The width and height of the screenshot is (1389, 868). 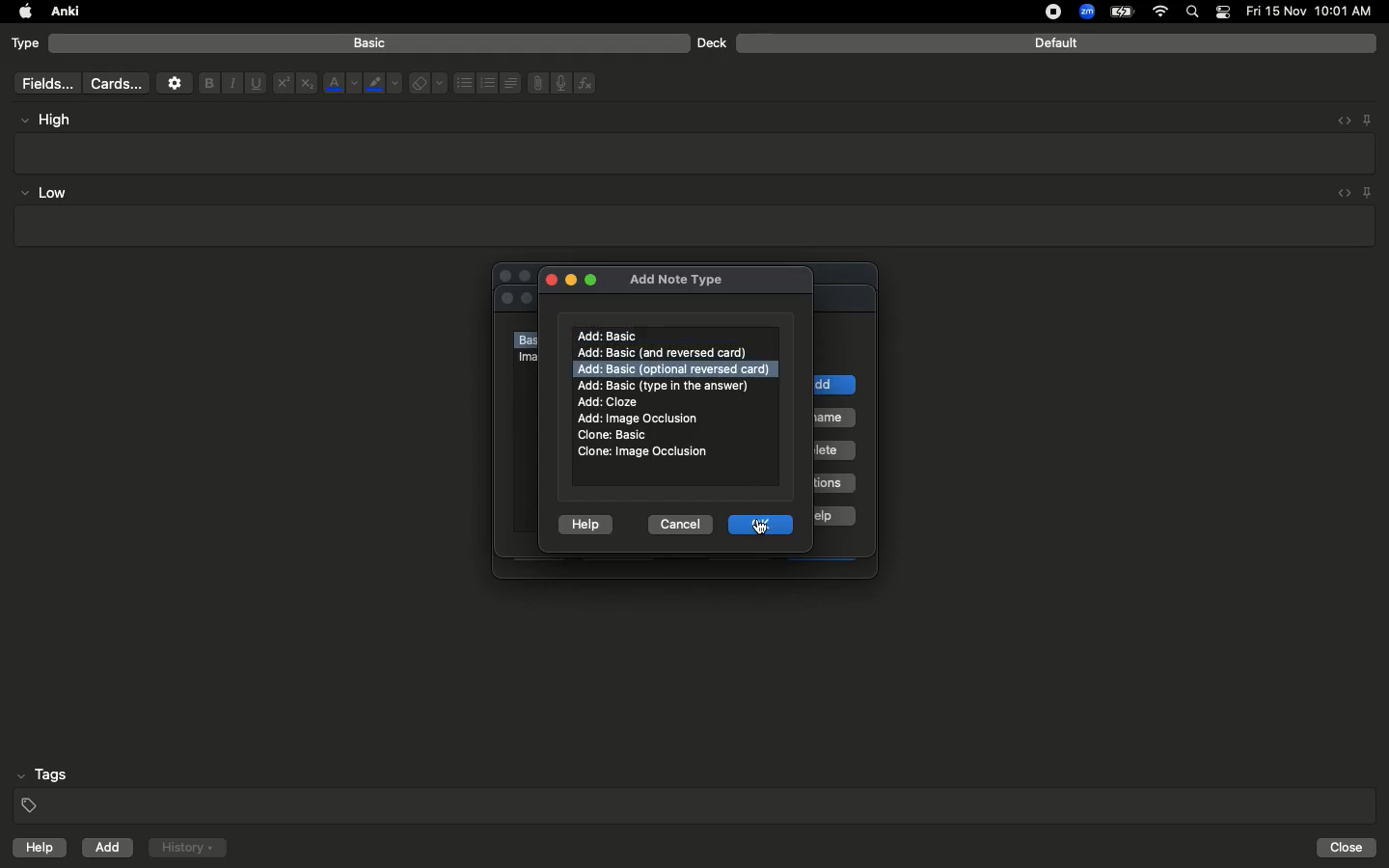 I want to click on Function, so click(x=586, y=83).